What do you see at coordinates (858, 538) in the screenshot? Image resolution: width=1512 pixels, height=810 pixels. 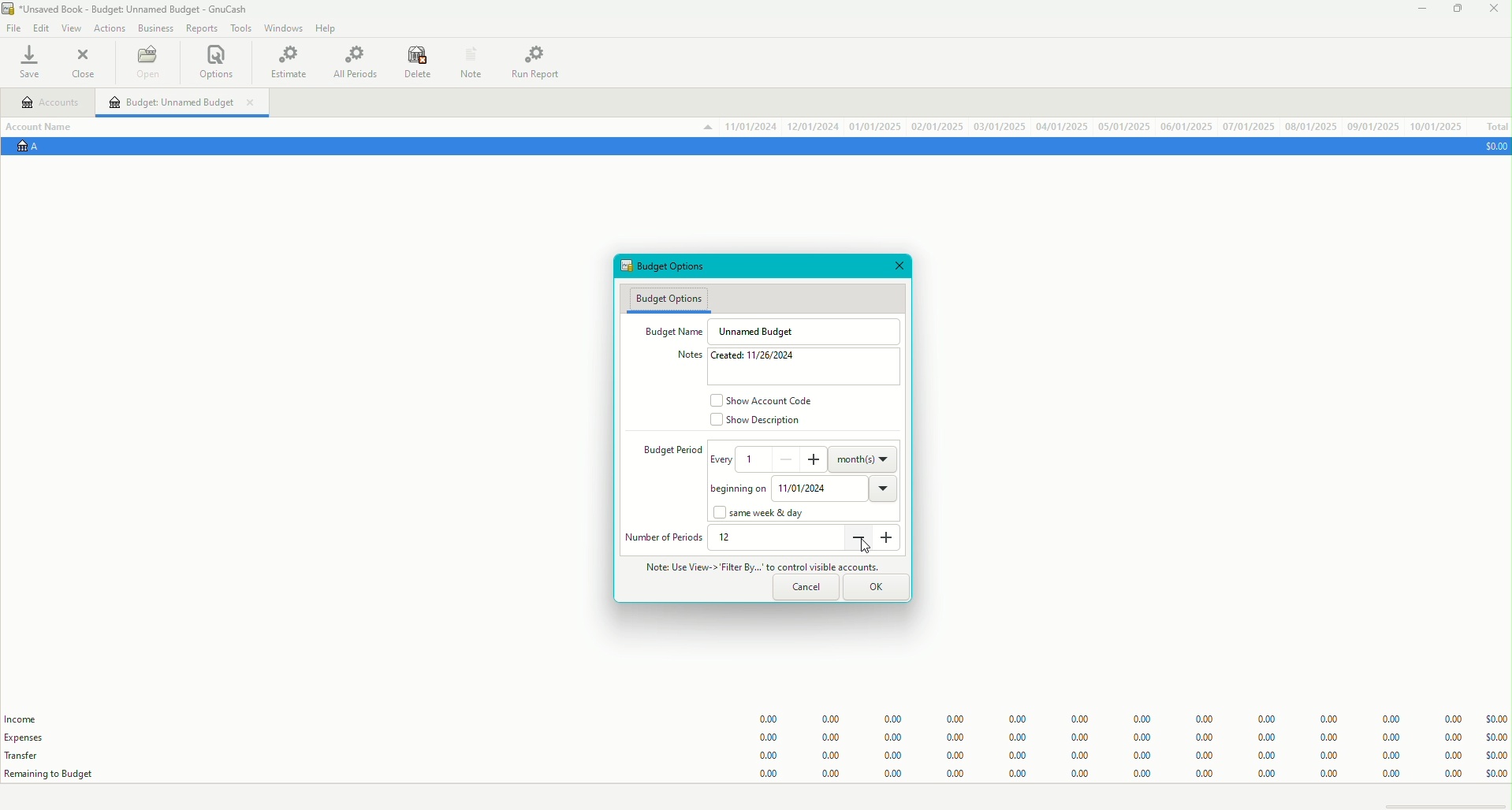 I see `decrease` at bounding box center [858, 538].